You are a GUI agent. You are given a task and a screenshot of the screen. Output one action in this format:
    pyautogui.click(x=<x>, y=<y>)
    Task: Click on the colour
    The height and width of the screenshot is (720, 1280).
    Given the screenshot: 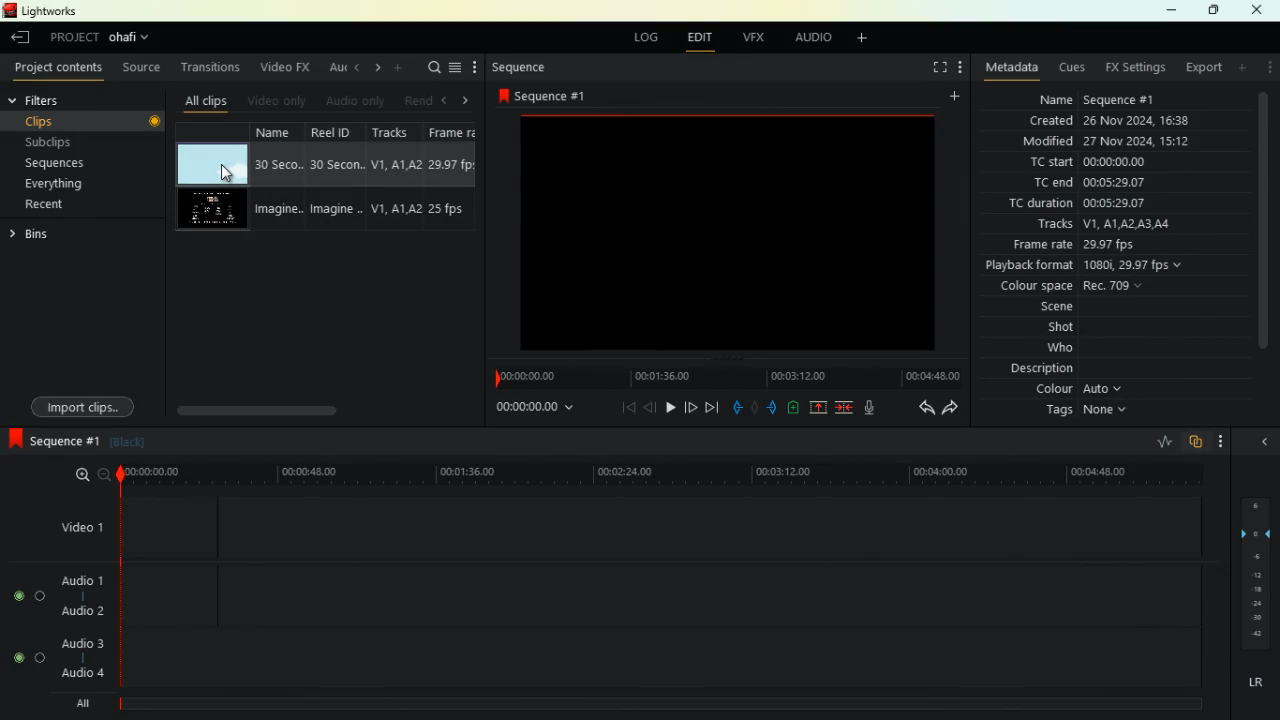 What is the action you would take?
    pyautogui.click(x=1075, y=389)
    